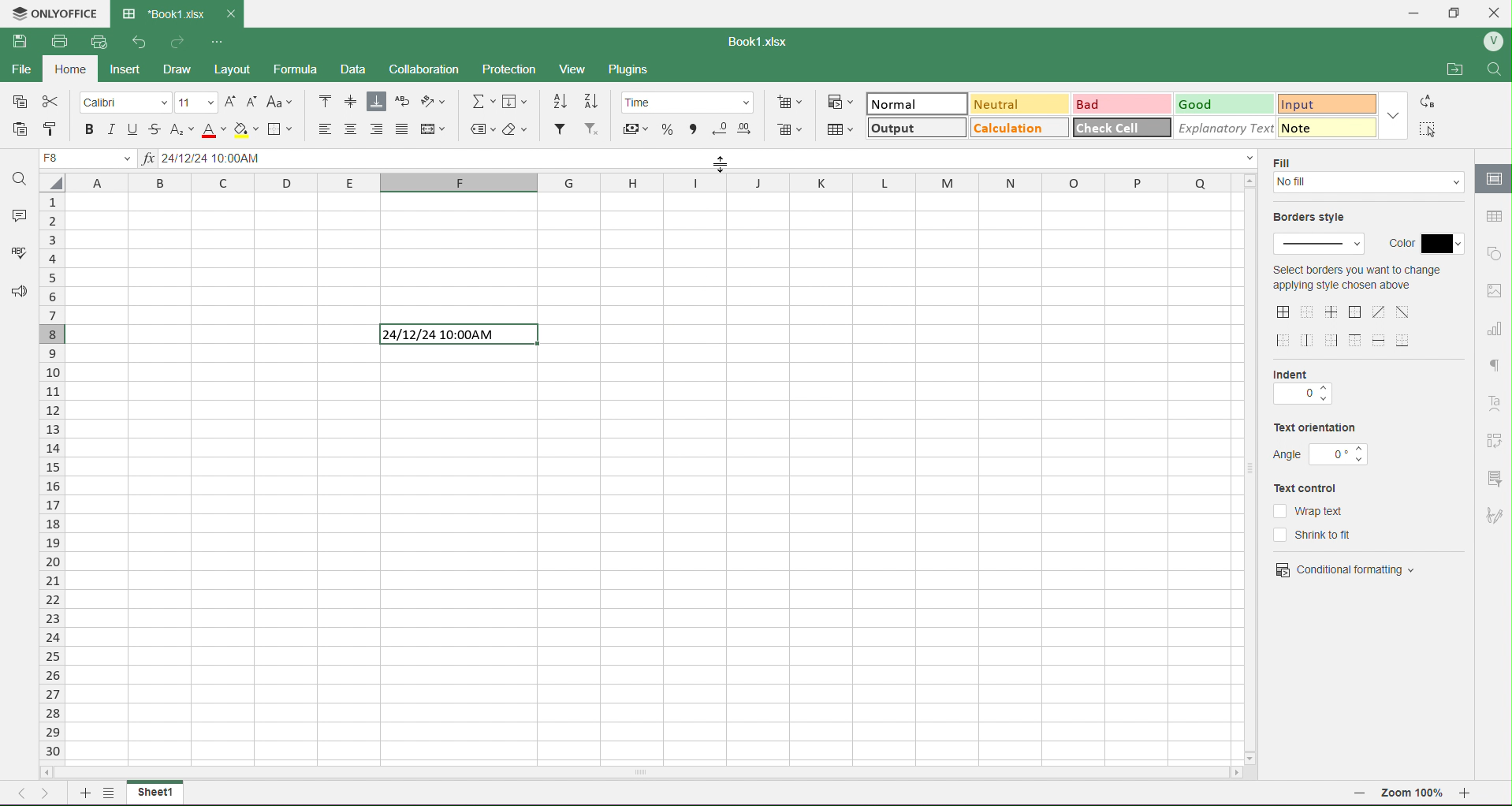  I want to click on User, so click(1492, 42).